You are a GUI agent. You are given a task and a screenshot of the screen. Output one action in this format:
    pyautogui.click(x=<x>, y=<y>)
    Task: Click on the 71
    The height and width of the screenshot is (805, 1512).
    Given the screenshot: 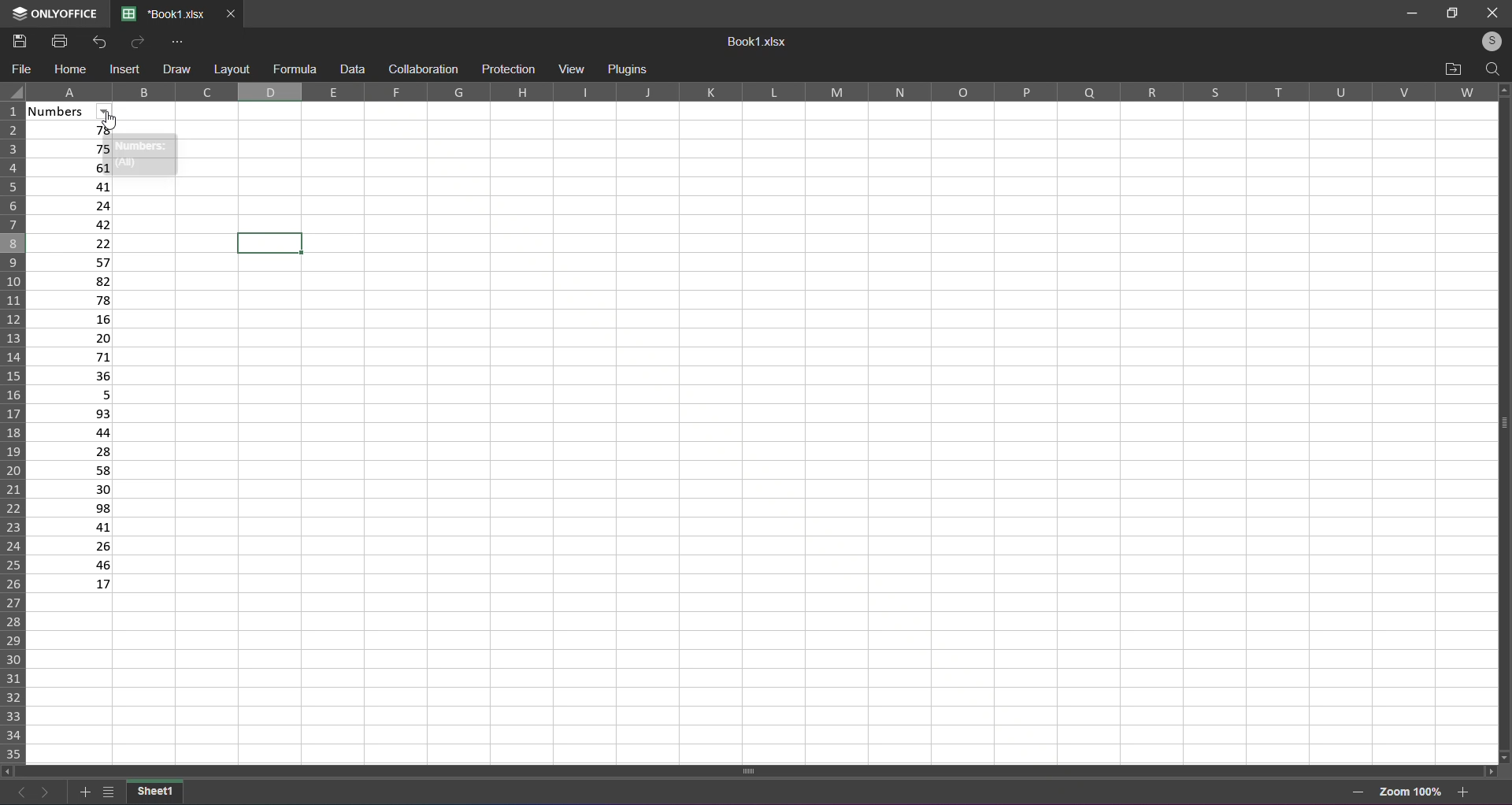 What is the action you would take?
    pyautogui.click(x=74, y=357)
    